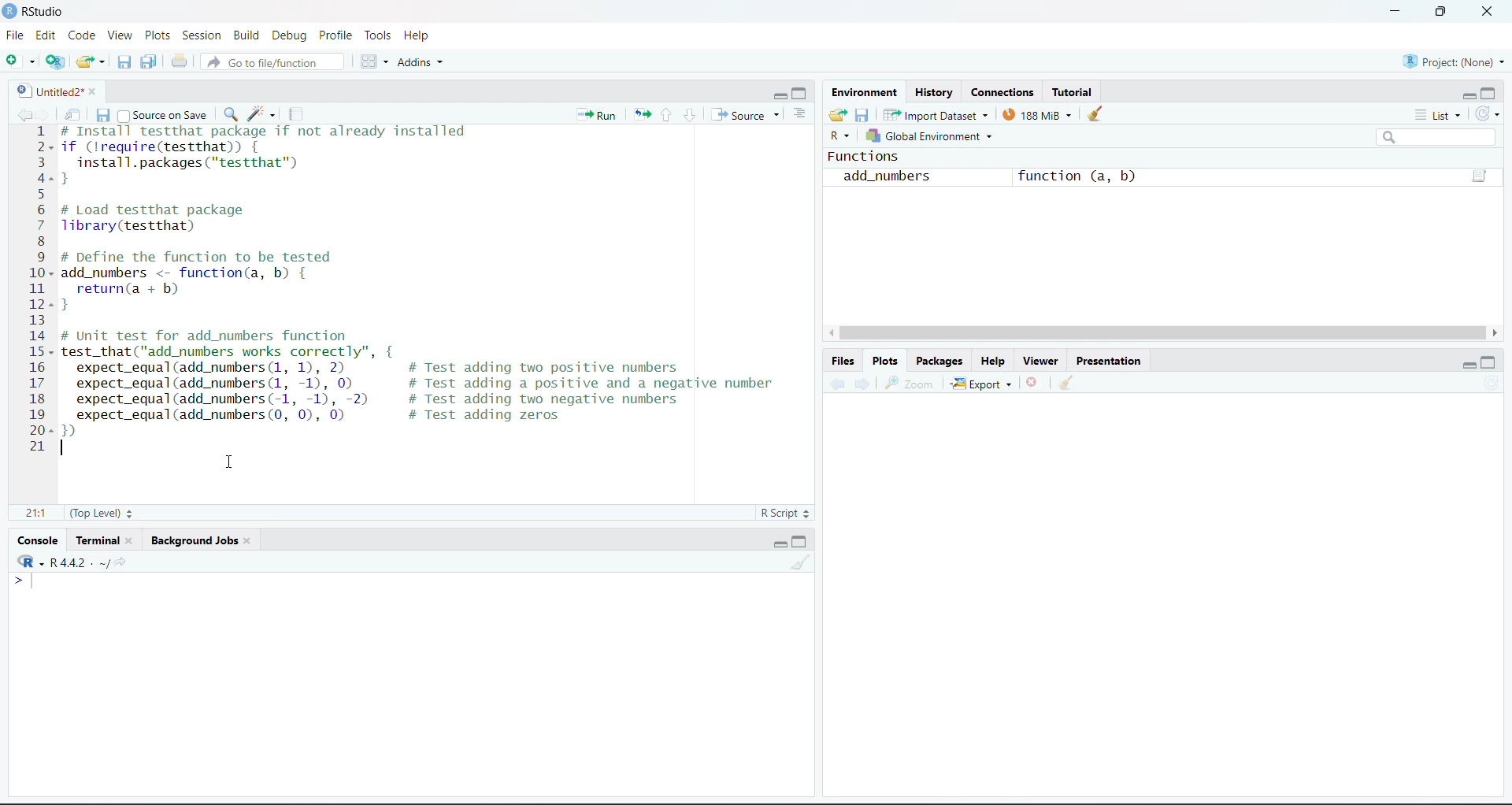  I want to click on (Top Level), so click(99, 512).